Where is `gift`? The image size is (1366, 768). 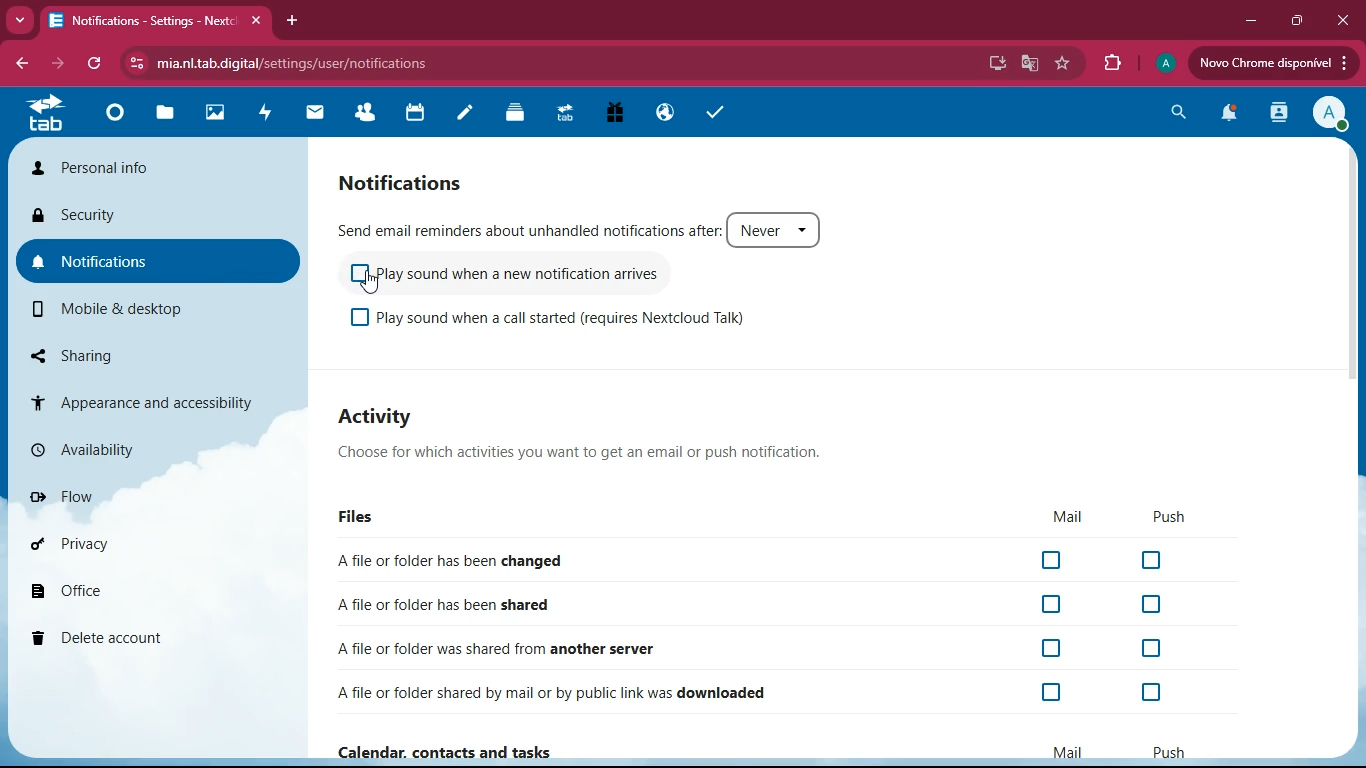
gift is located at coordinates (608, 113).